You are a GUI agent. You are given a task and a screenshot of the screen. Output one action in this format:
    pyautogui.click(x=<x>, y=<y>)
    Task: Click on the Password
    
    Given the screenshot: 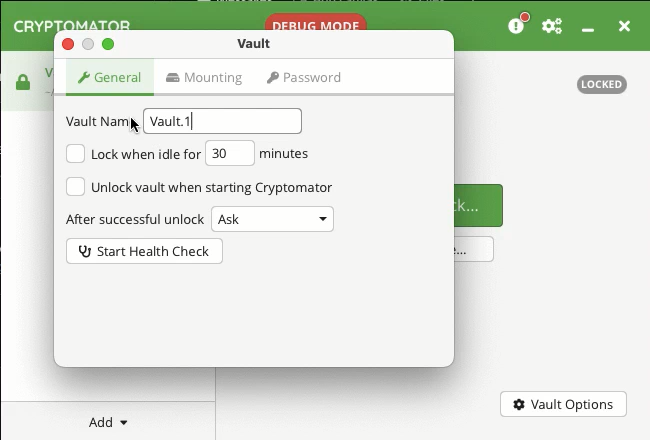 What is the action you would take?
    pyautogui.click(x=306, y=76)
    